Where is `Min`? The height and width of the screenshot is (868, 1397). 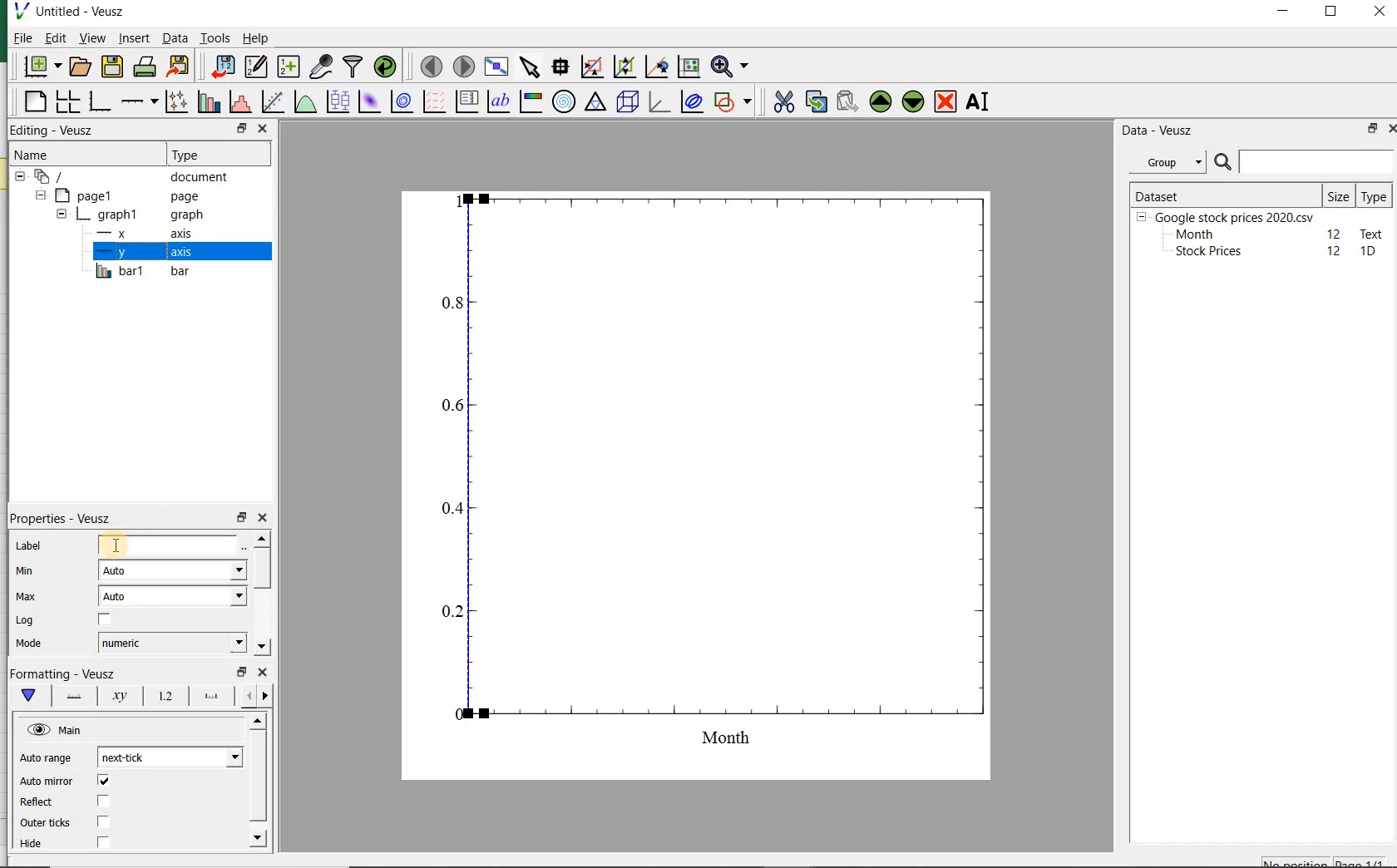 Min is located at coordinates (27, 572).